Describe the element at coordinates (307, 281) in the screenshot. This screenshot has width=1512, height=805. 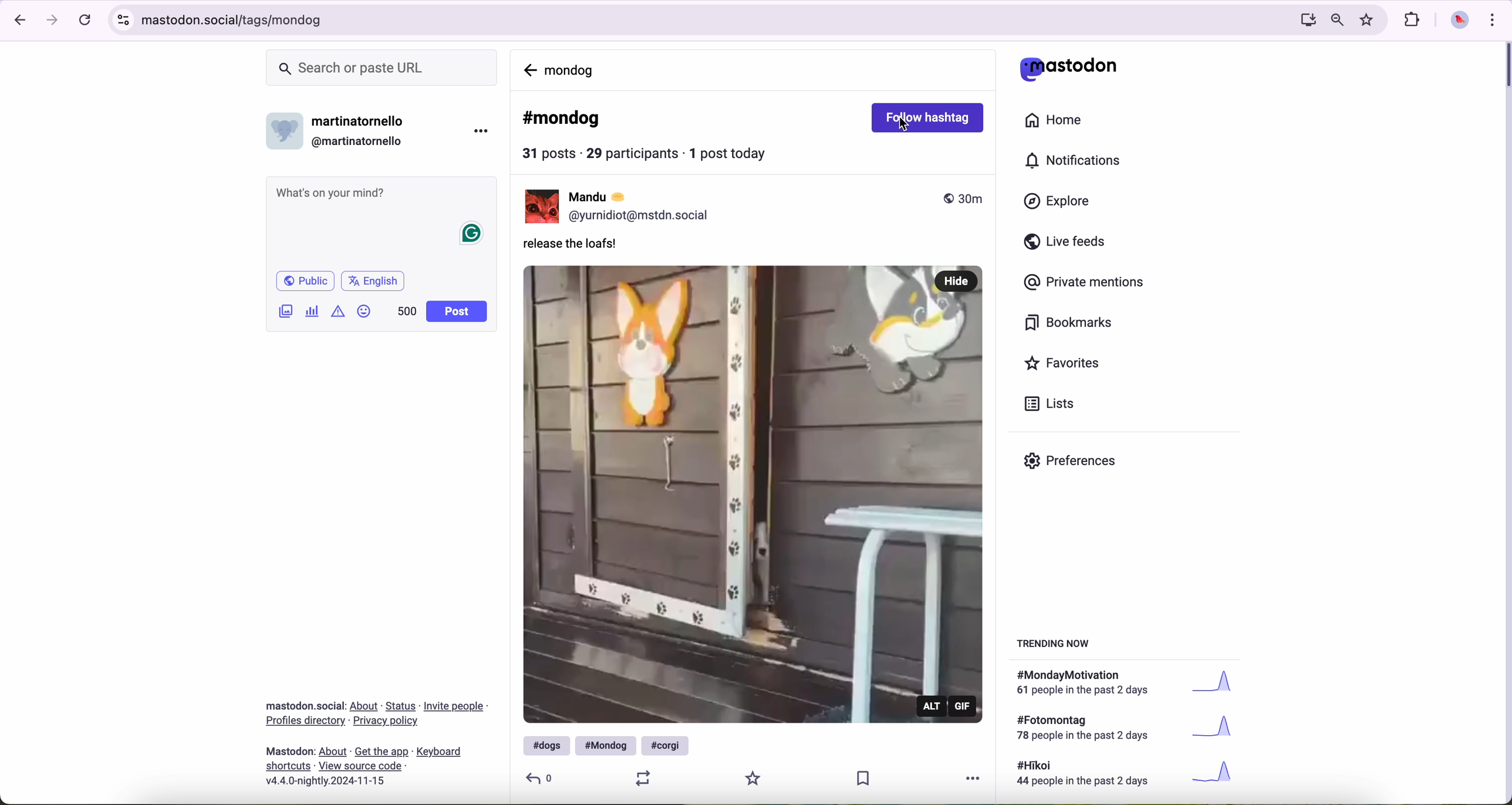
I see `public` at that location.